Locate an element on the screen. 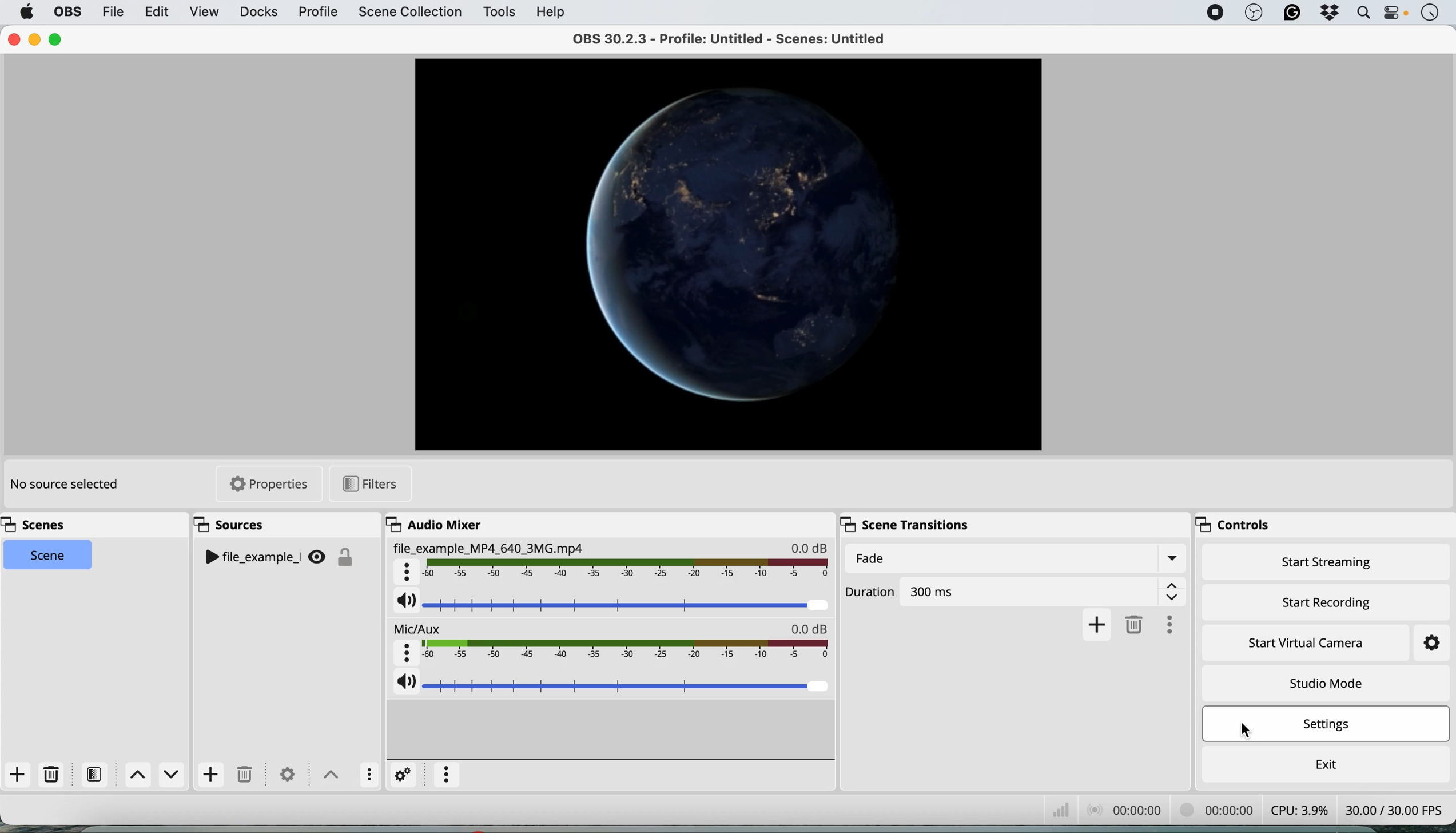  time is located at coordinates (1430, 14).